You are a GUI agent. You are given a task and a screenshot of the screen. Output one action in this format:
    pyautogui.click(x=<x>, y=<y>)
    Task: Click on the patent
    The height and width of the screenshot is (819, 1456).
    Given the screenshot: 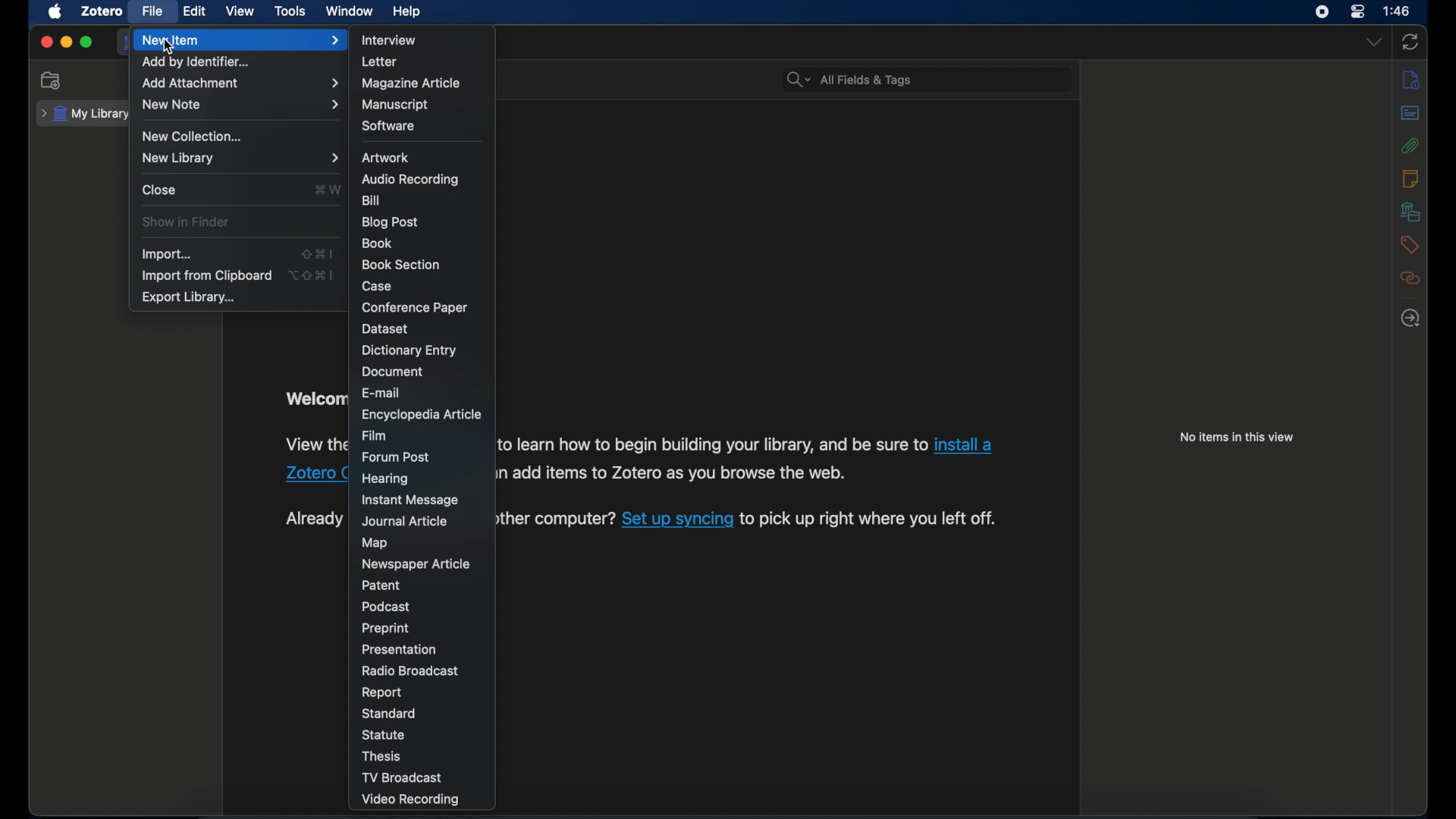 What is the action you would take?
    pyautogui.click(x=382, y=585)
    